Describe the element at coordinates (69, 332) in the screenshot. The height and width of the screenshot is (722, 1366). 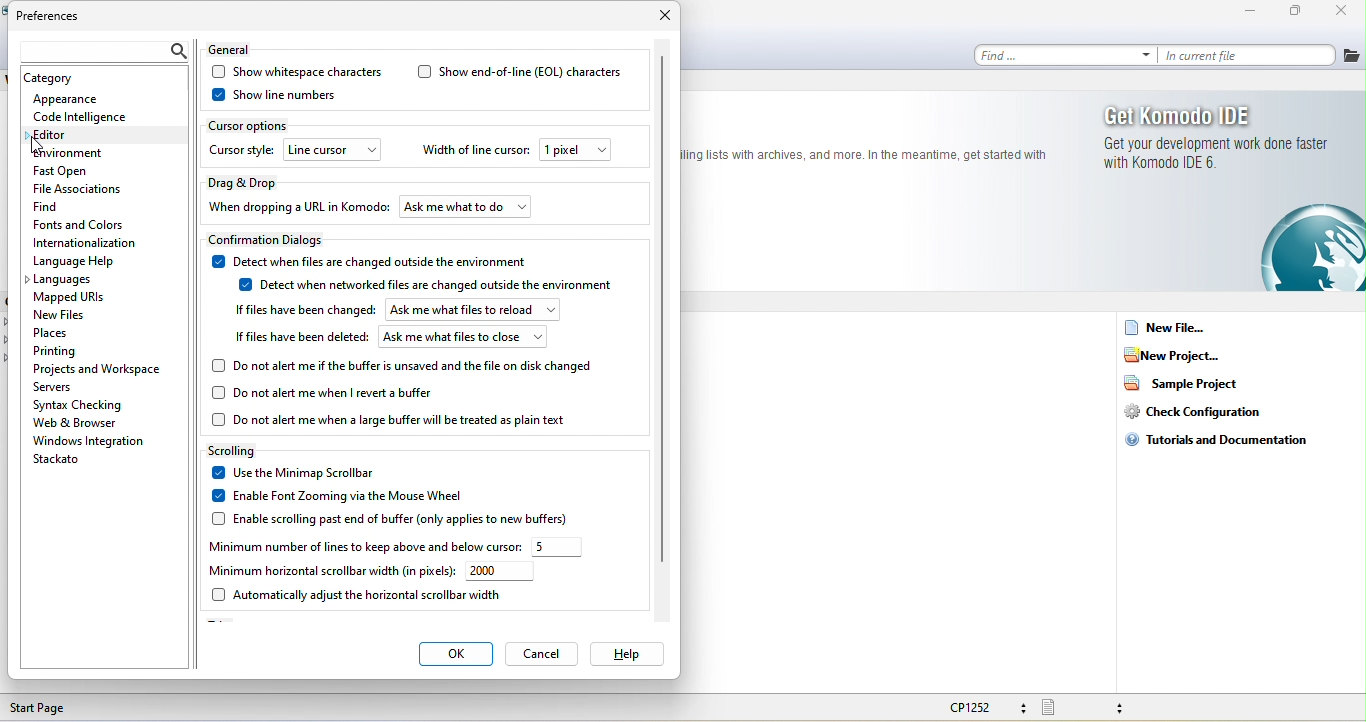
I see `place` at that location.